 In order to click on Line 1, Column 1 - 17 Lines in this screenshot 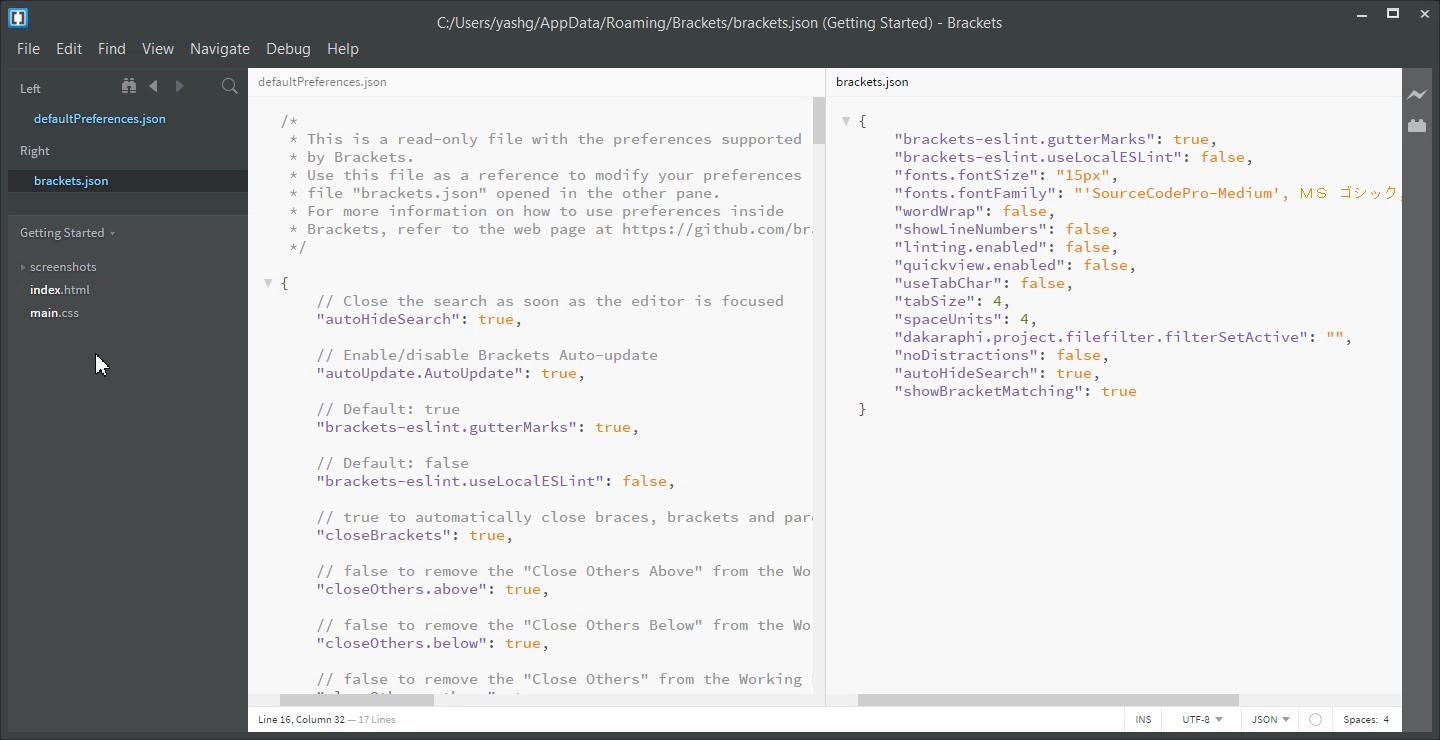, I will do `click(324, 721)`.